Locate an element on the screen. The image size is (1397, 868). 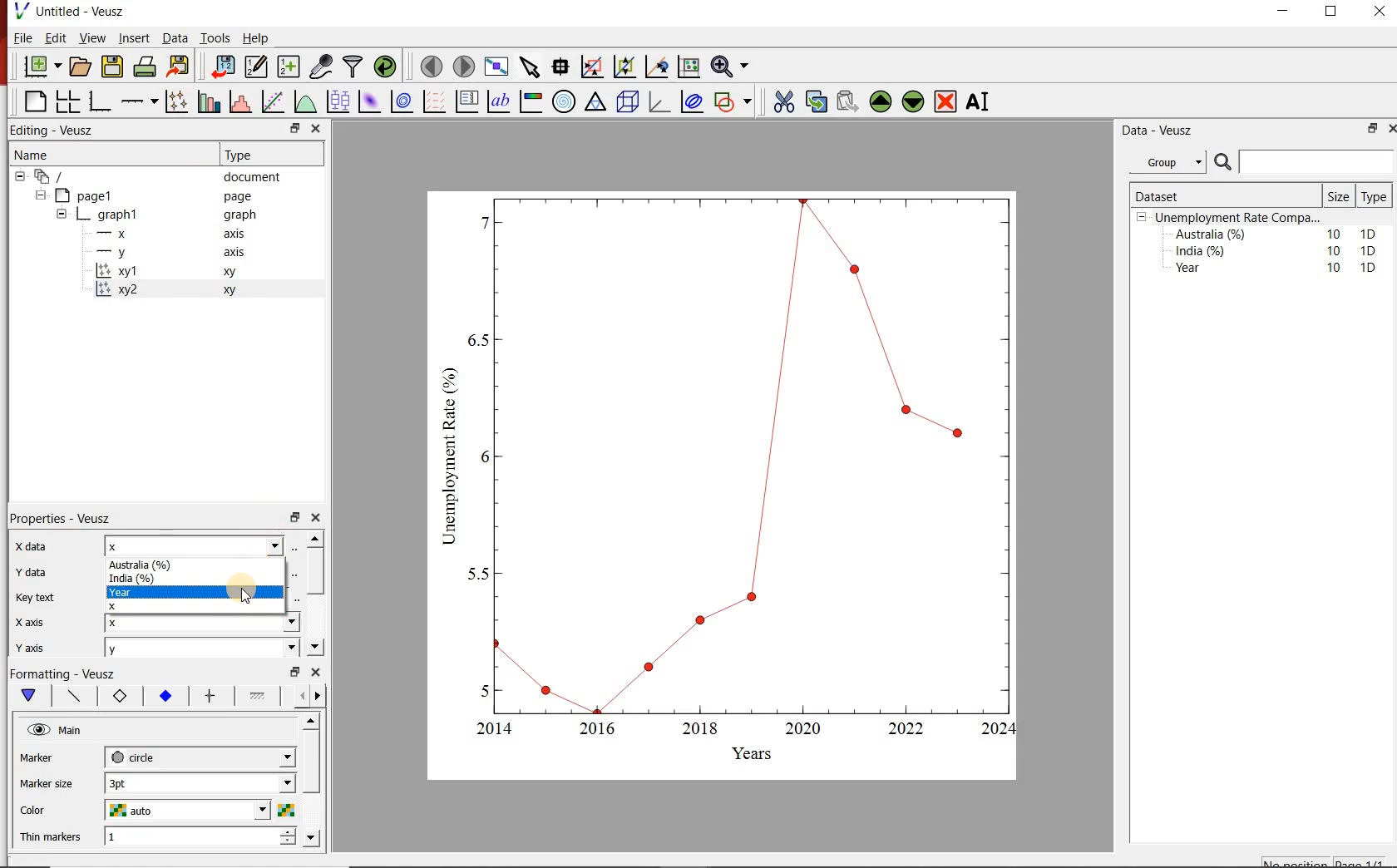
base graphs is located at coordinates (101, 101).